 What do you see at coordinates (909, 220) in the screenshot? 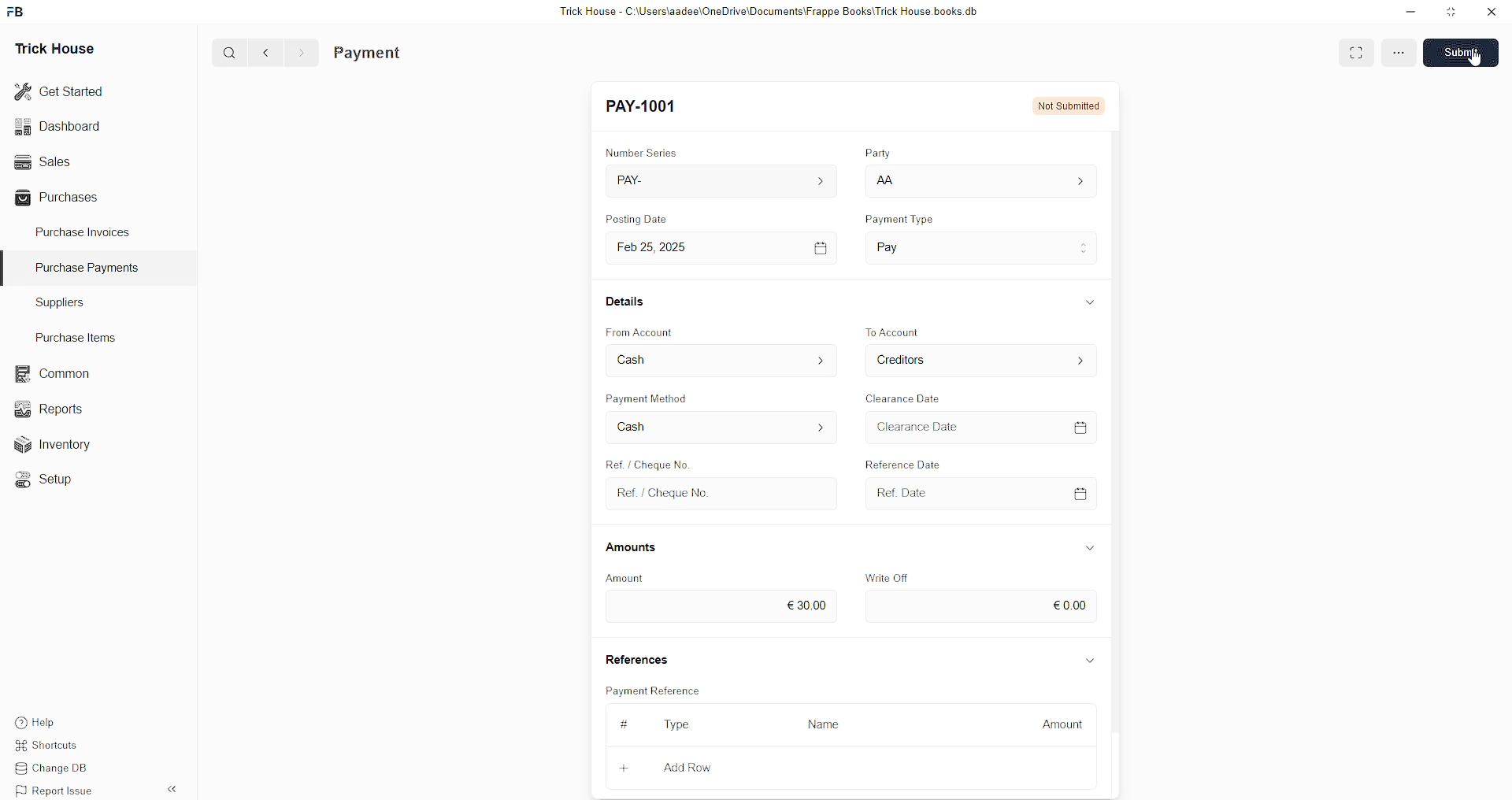
I see `payment type` at bounding box center [909, 220].